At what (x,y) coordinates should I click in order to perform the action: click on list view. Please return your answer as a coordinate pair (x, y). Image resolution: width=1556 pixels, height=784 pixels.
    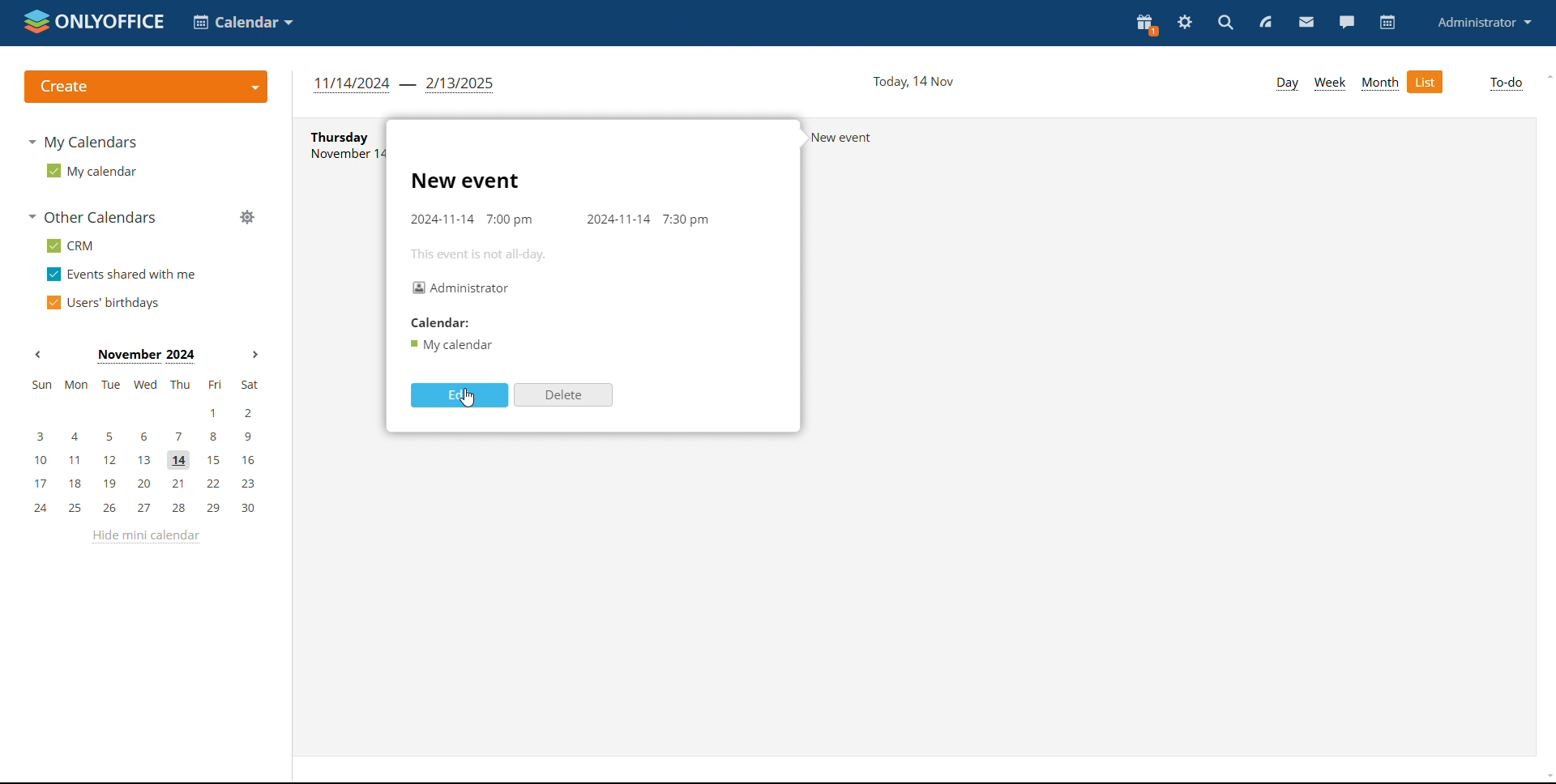
    Looking at the image, I should click on (1426, 82).